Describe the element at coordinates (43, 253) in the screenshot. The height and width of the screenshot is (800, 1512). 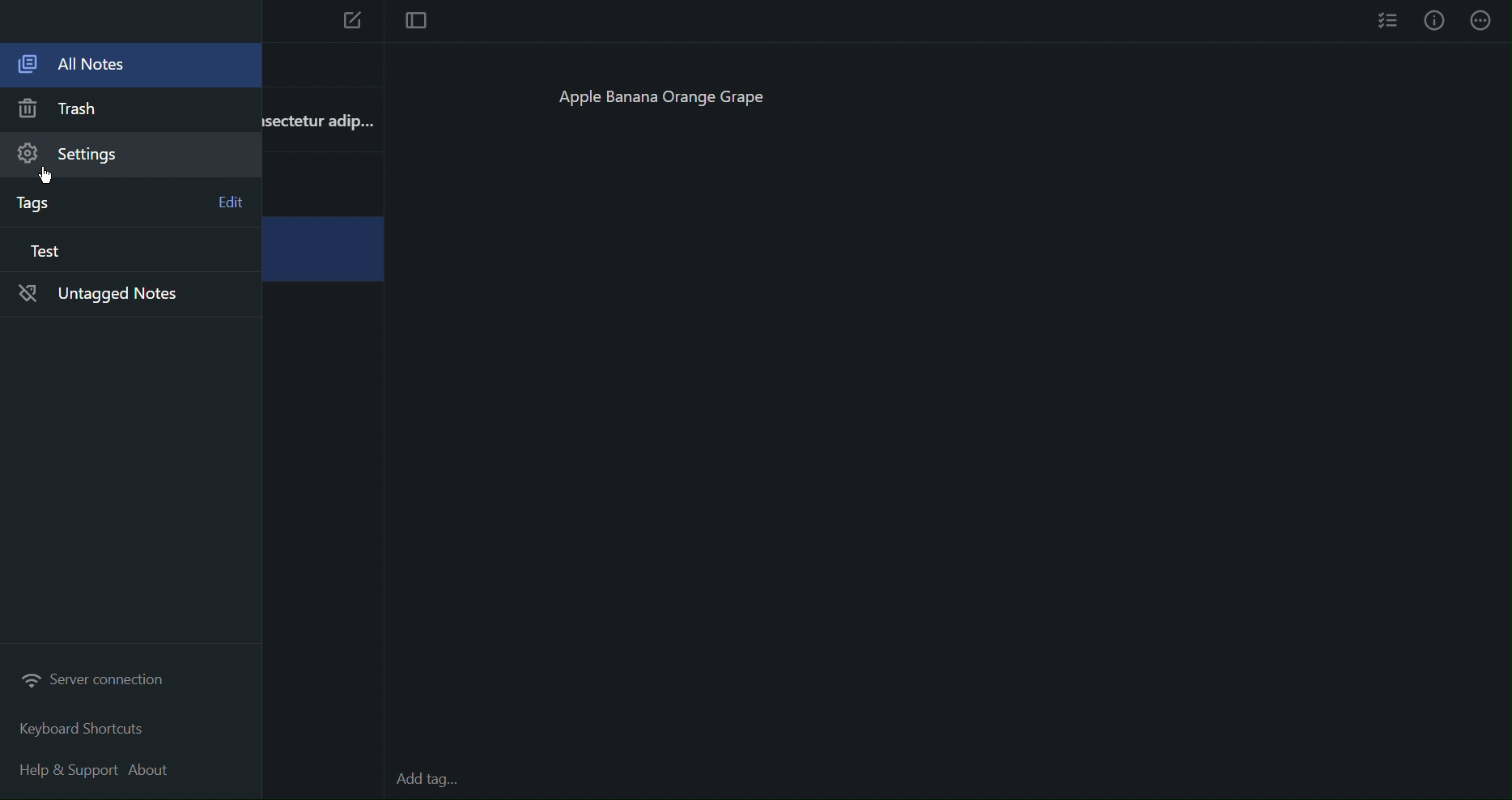
I see `Test` at that location.